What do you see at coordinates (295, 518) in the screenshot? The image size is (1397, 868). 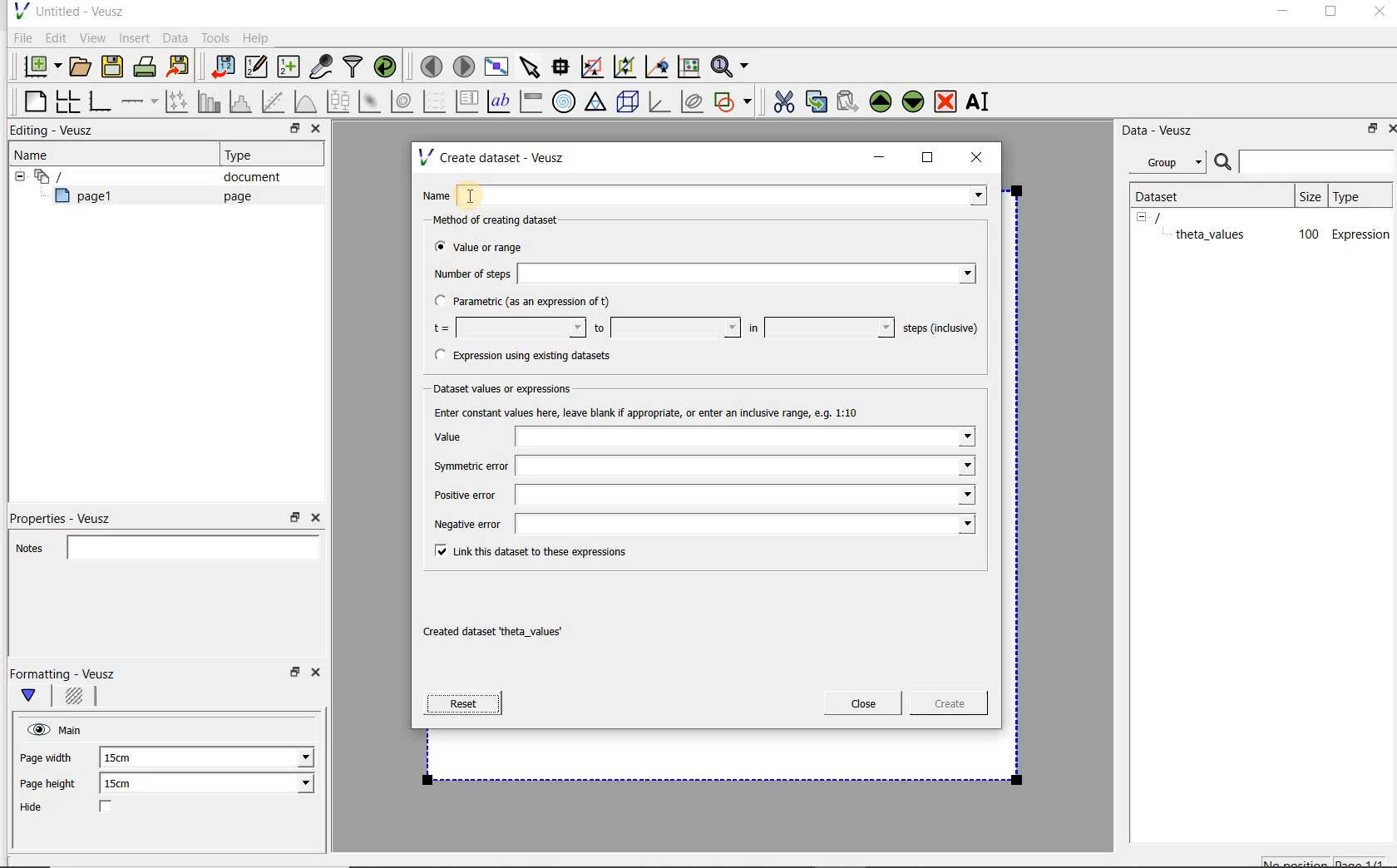 I see `restore down` at bounding box center [295, 518].